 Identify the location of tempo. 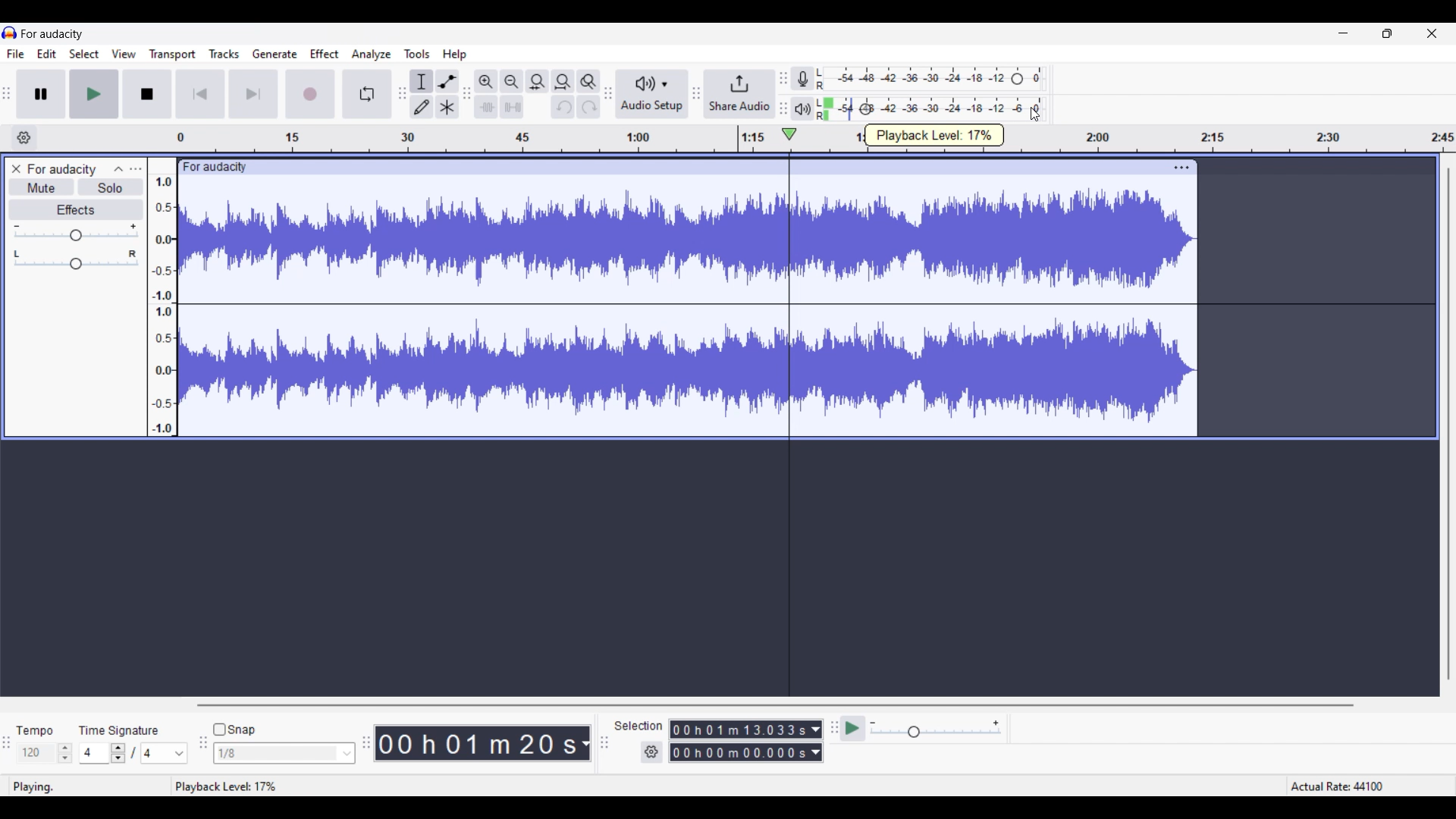
(36, 731).